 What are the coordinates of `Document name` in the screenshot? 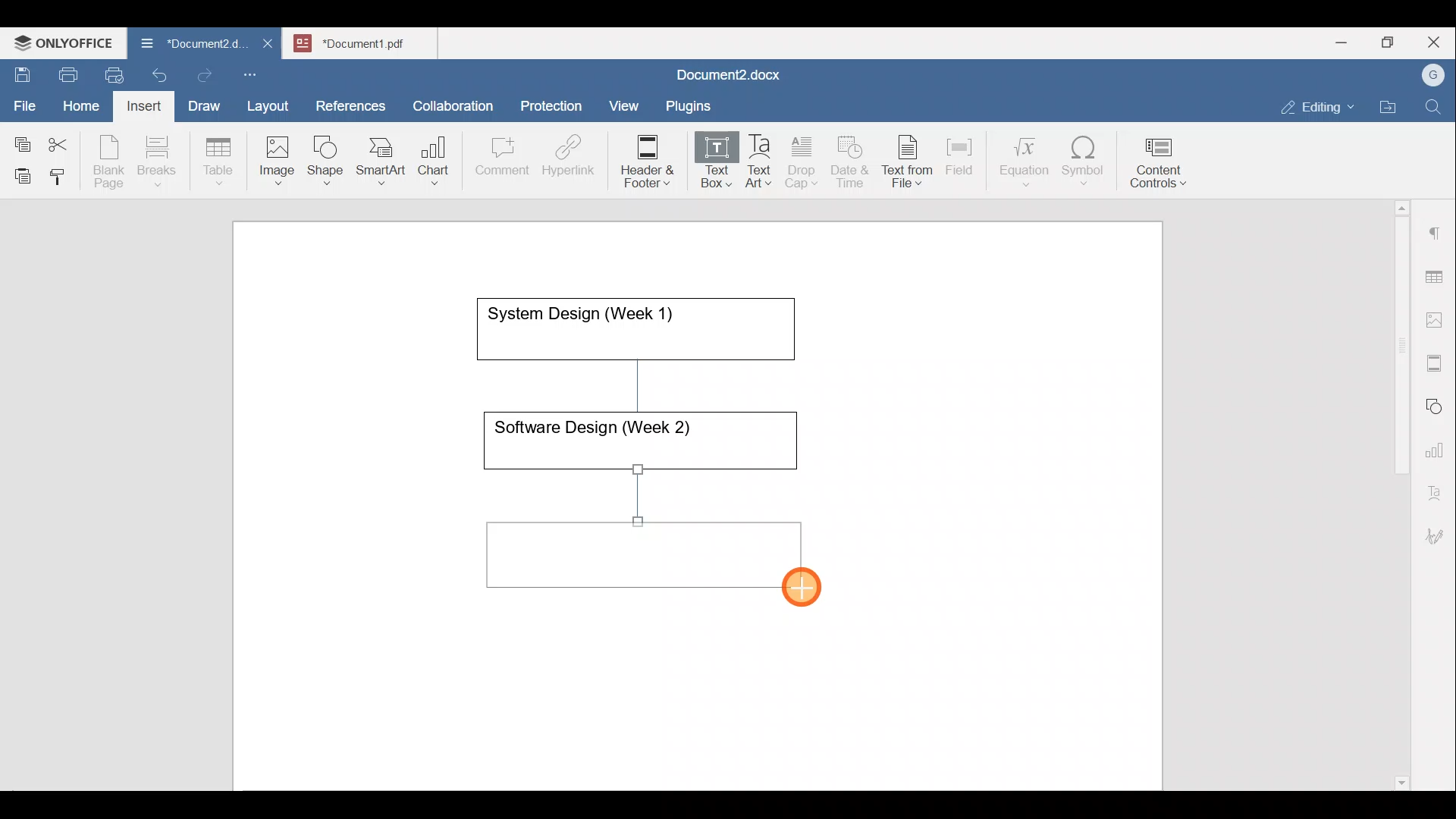 It's located at (369, 41).